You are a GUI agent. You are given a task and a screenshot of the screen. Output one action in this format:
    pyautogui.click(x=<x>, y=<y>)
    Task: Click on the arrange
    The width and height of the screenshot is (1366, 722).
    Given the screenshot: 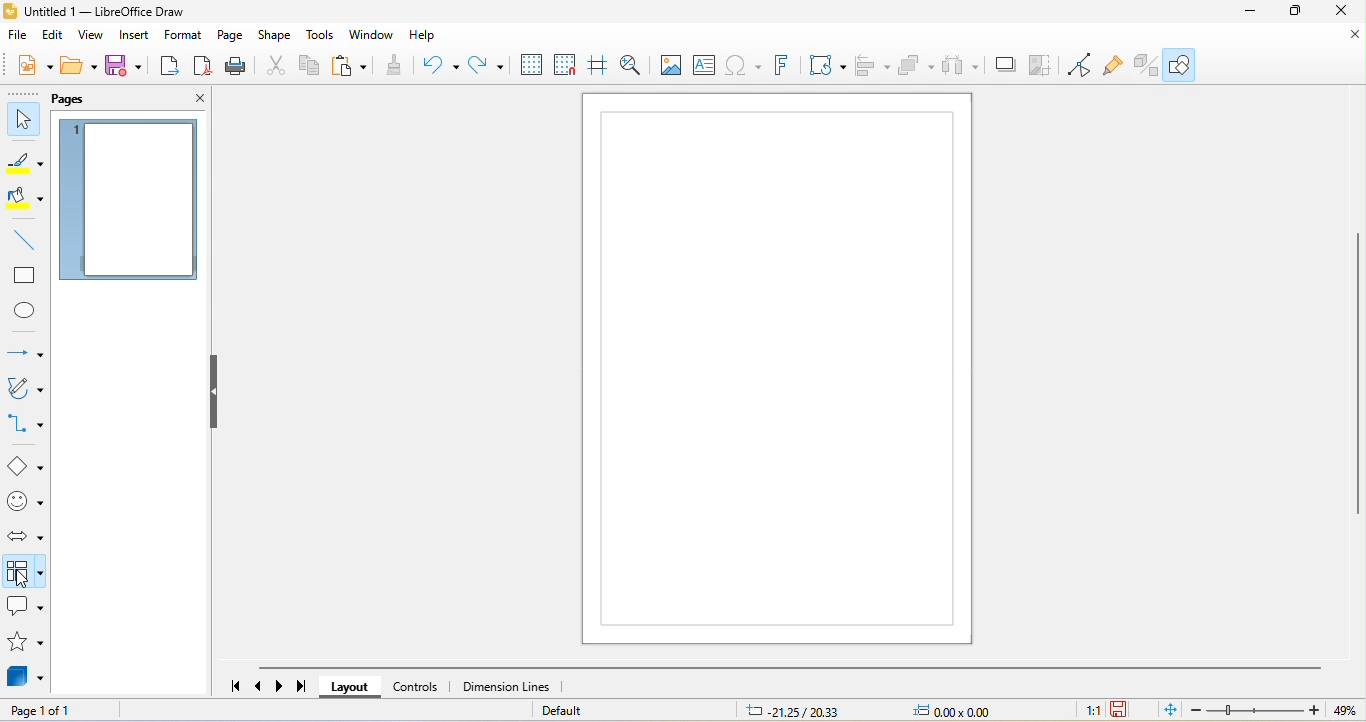 What is the action you would take?
    pyautogui.click(x=916, y=67)
    